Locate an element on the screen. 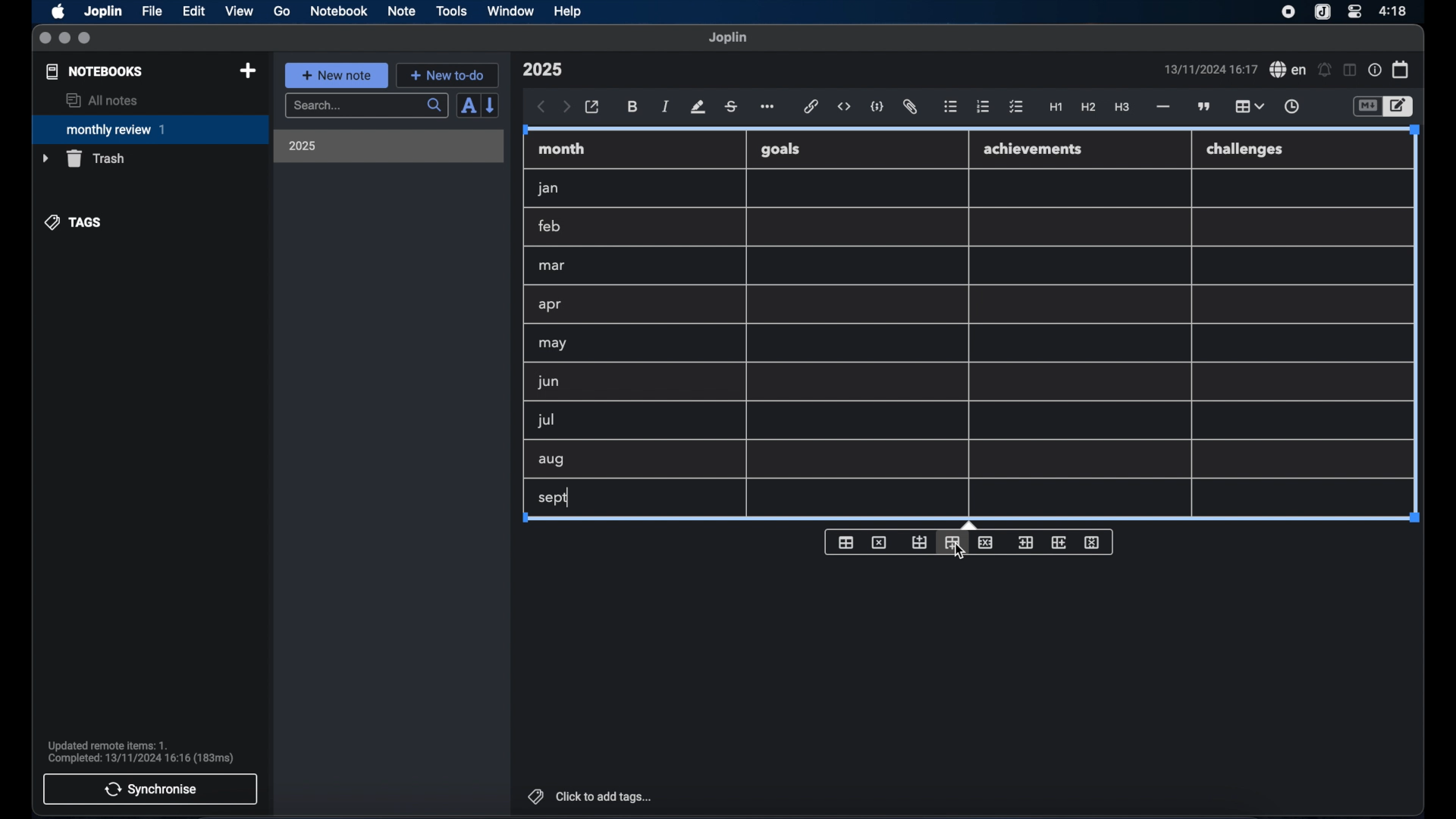 This screenshot has height=819, width=1456. more options is located at coordinates (769, 108).